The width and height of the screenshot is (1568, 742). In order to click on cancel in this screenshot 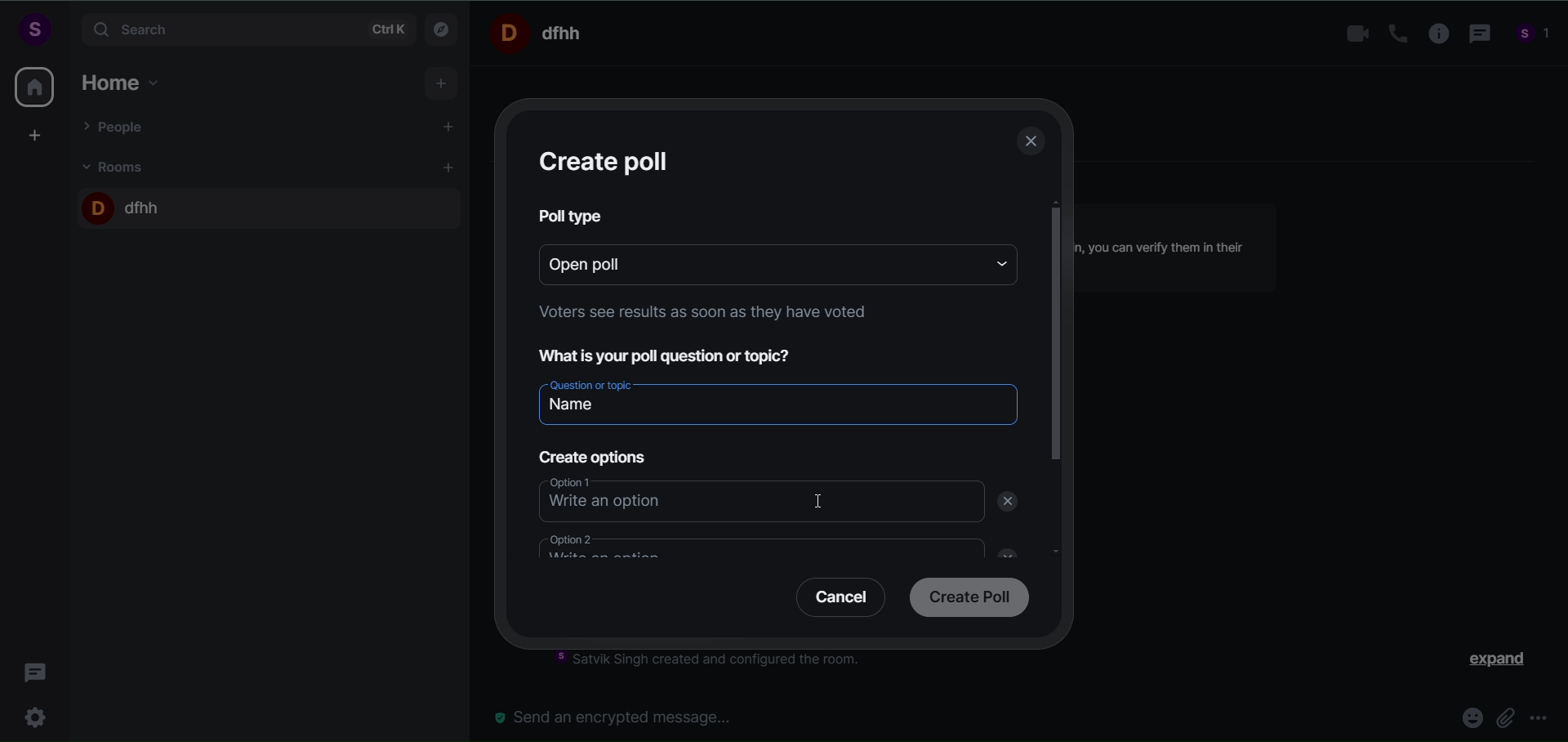, I will do `click(835, 601)`.